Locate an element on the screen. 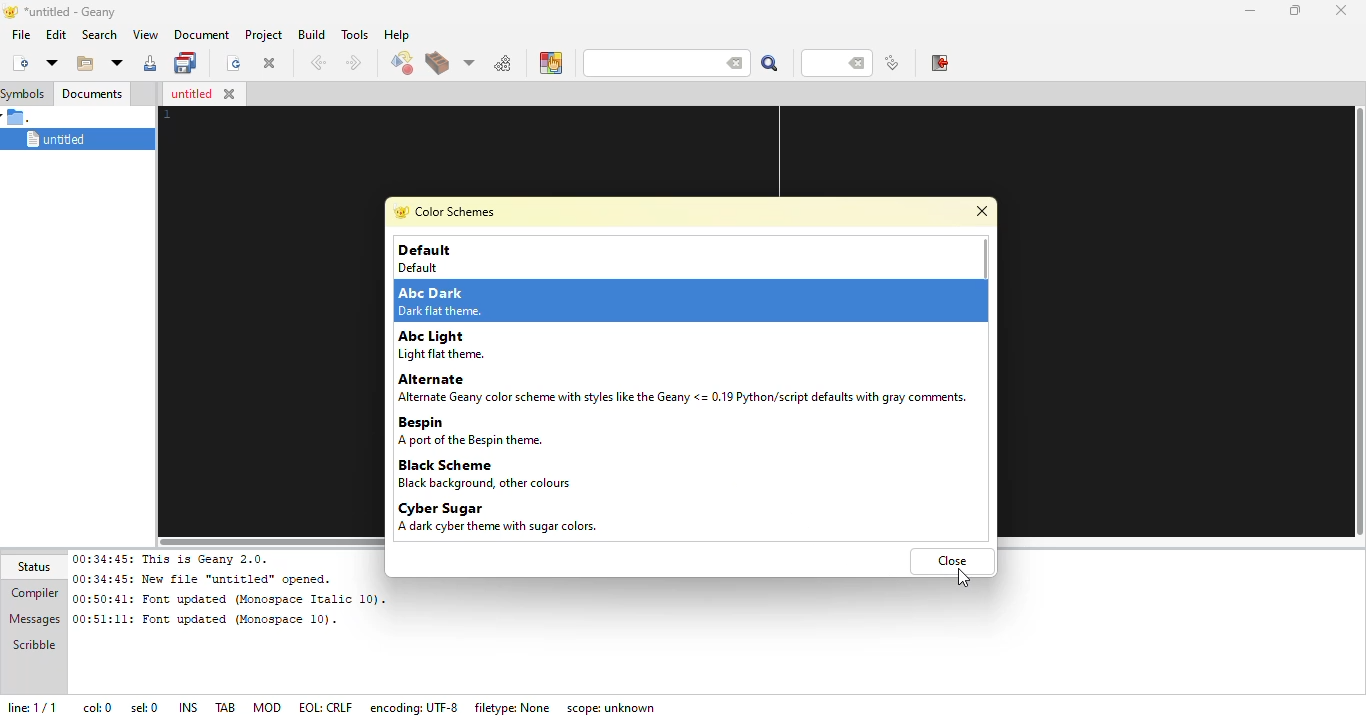  run is located at coordinates (503, 63).